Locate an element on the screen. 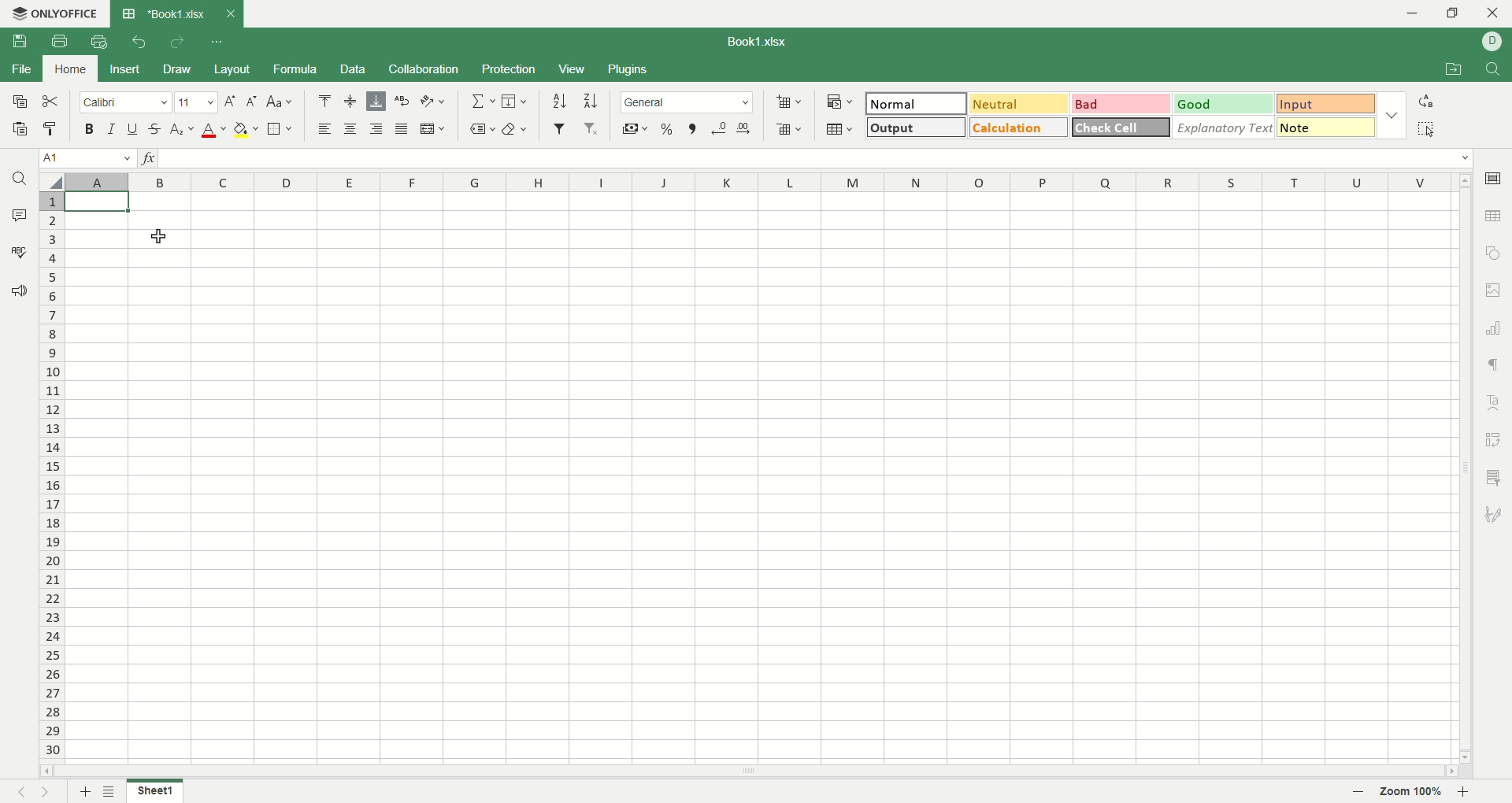 This screenshot has height=803, width=1512. align center is located at coordinates (349, 128).